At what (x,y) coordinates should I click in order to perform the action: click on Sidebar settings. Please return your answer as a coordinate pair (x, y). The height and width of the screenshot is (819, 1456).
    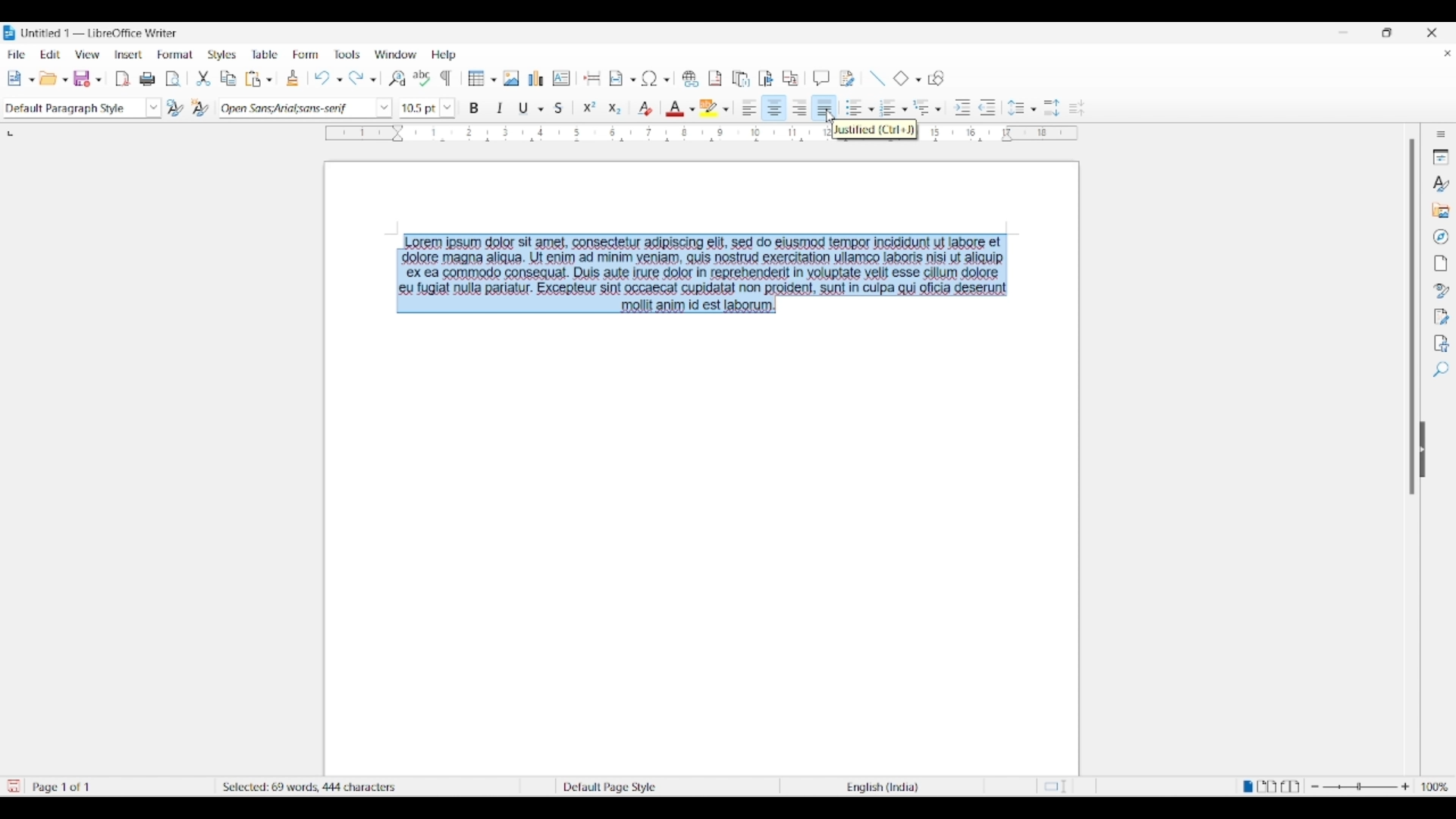
    Looking at the image, I should click on (1441, 134).